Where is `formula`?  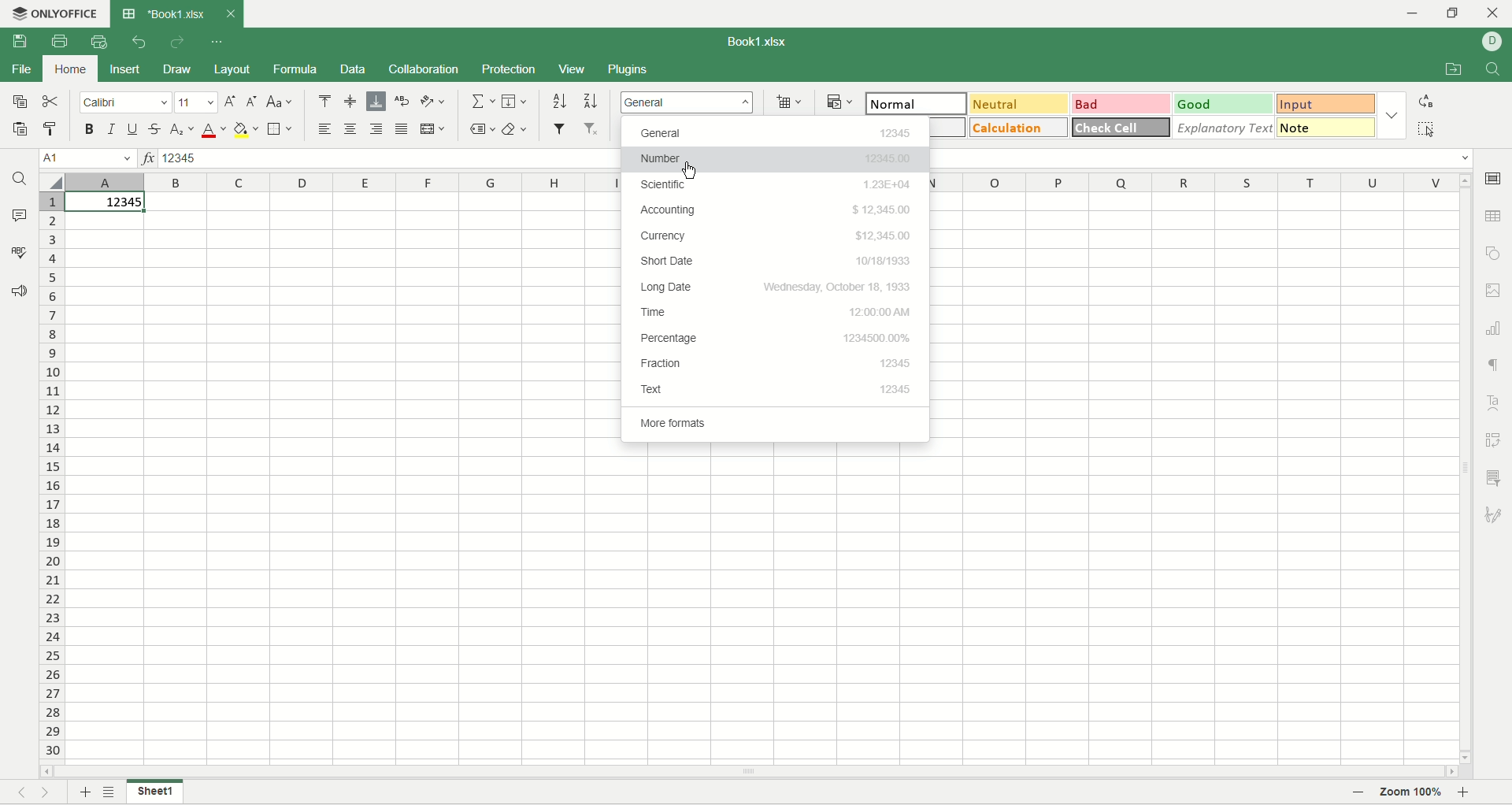 formula is located at coordinates (296, 70).